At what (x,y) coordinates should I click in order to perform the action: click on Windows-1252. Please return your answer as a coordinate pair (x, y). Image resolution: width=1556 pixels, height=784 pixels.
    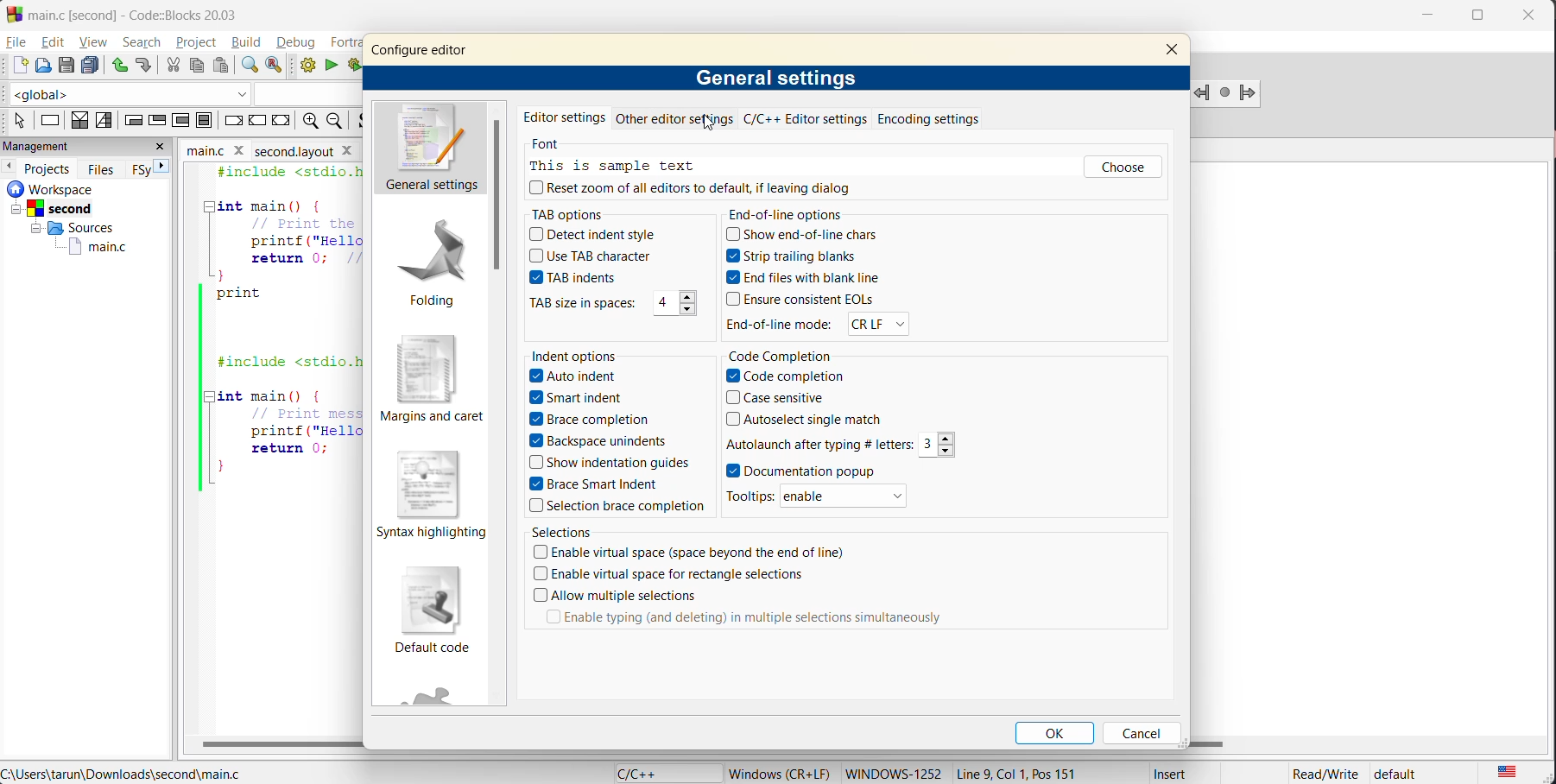
    Looking at the image, I should click on (893, 772).